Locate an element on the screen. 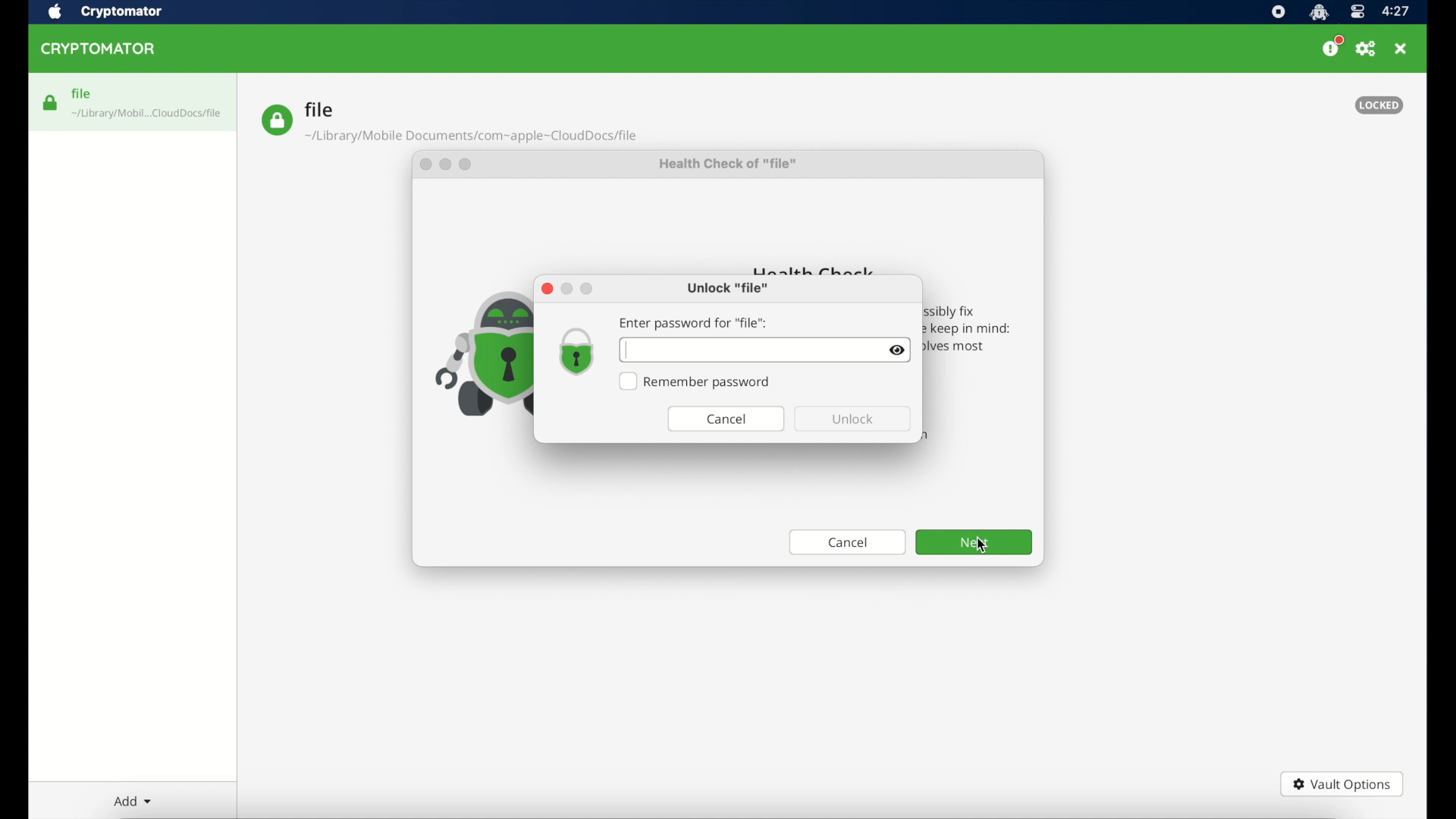  next is located at coordinates (974, 542).